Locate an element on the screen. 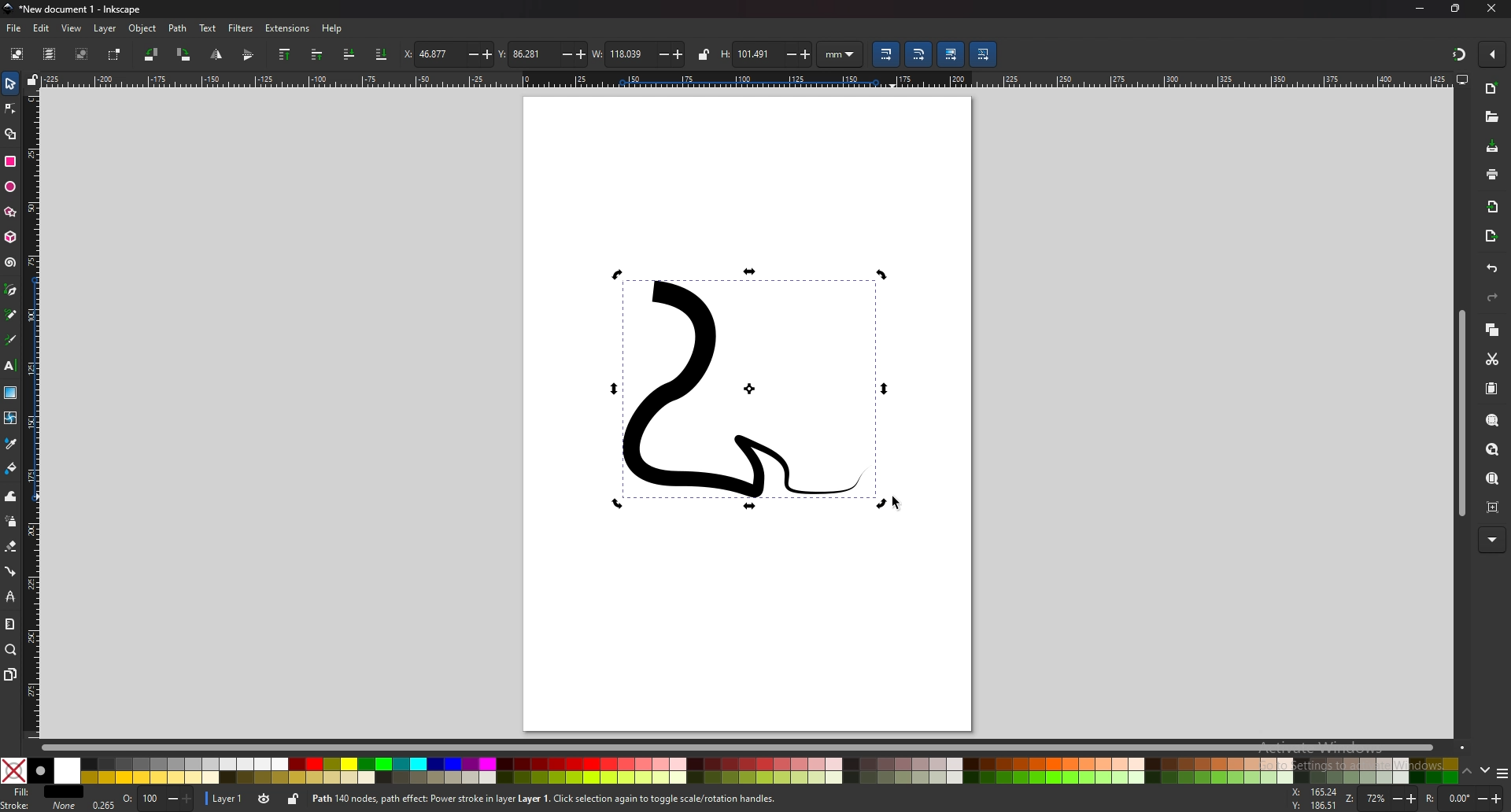 Image resolution: width=1511 pixels, height=812 pixels. view is located at coordinates (70, 29).